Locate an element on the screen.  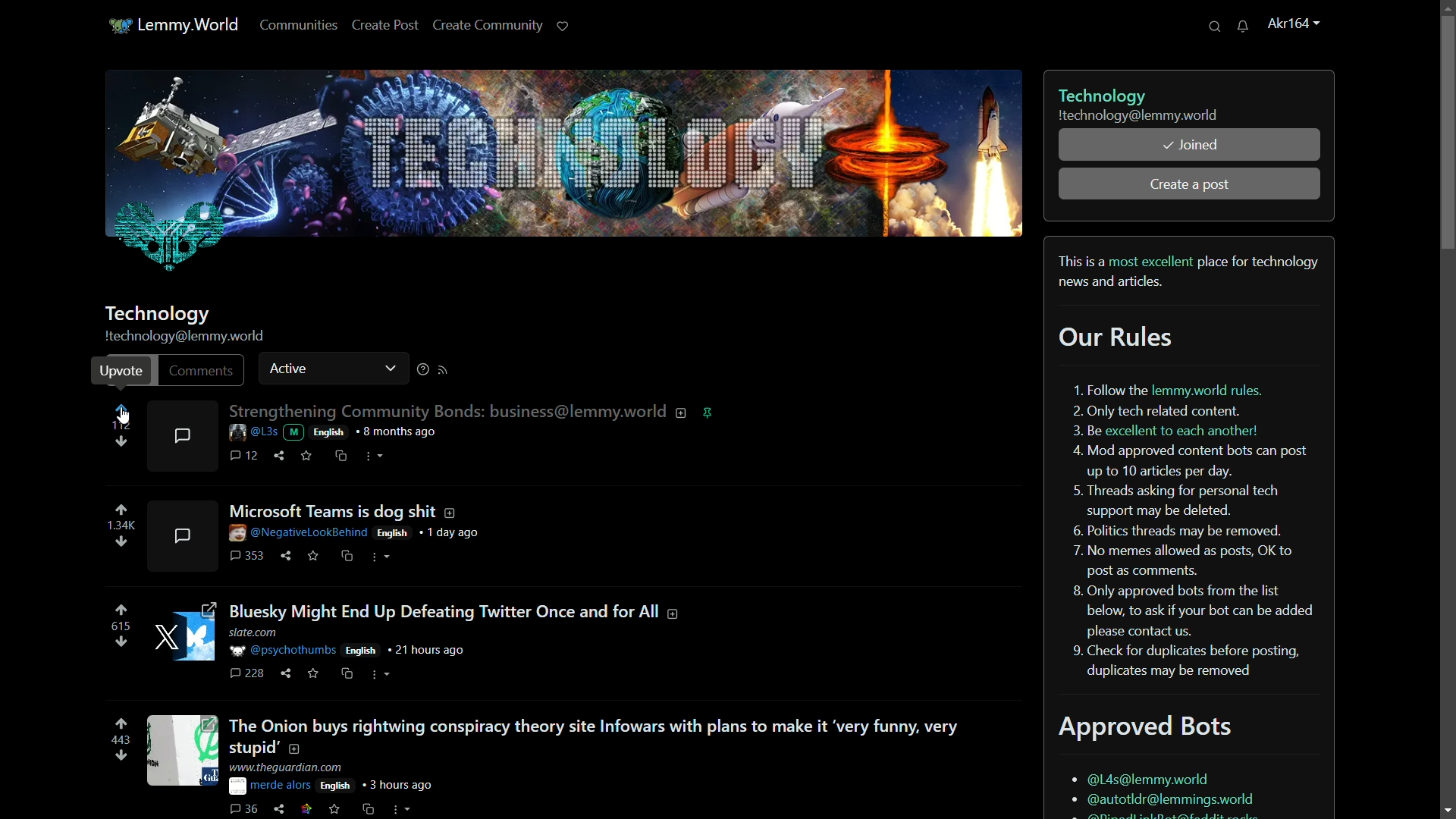
more options is located at coordinates (429, 370).